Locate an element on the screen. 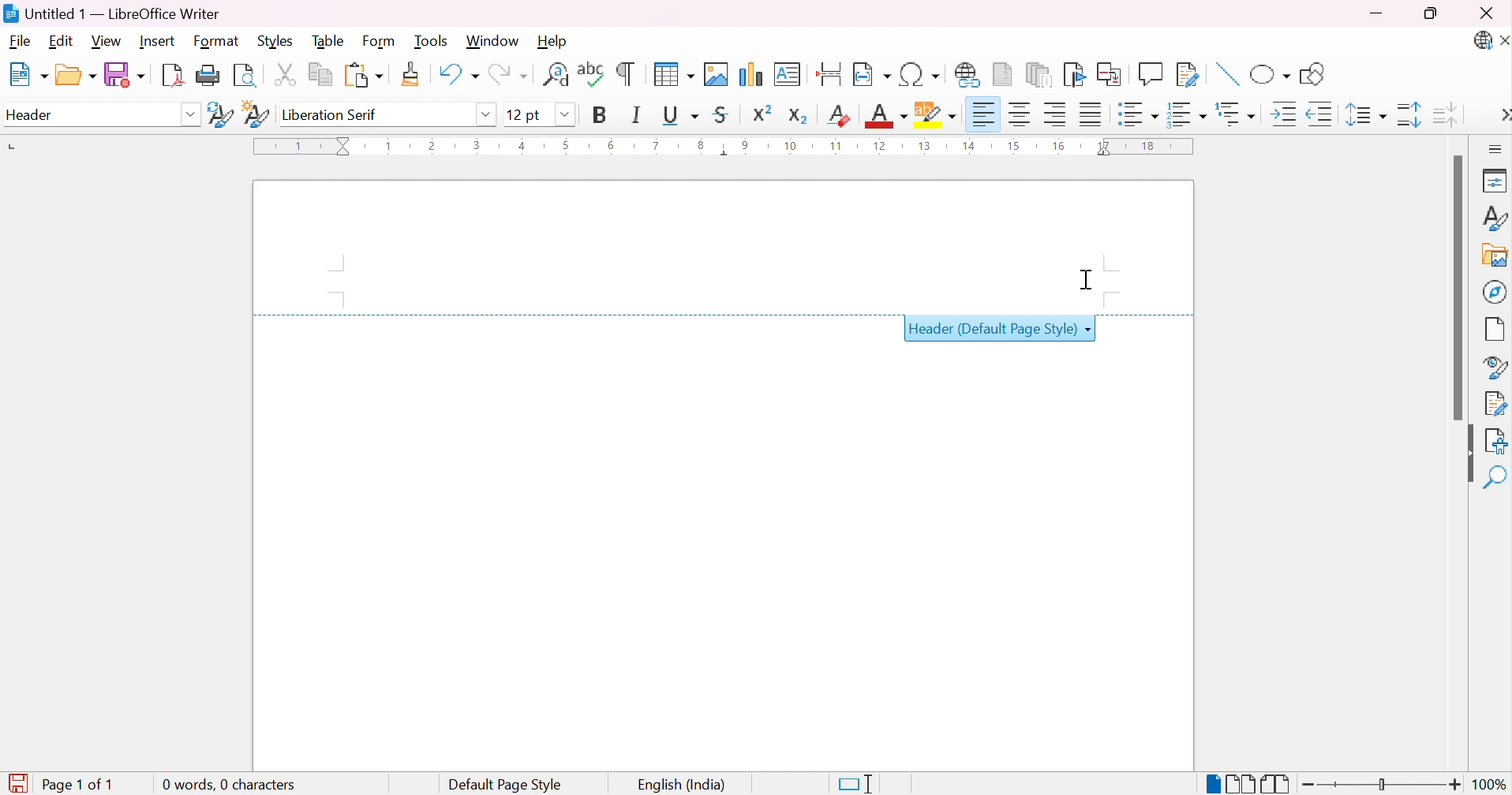 Image resolution: width=1512 pixels, height=795 pixels. Decrease paragraph spacing is located at coordinates (1448, 116).